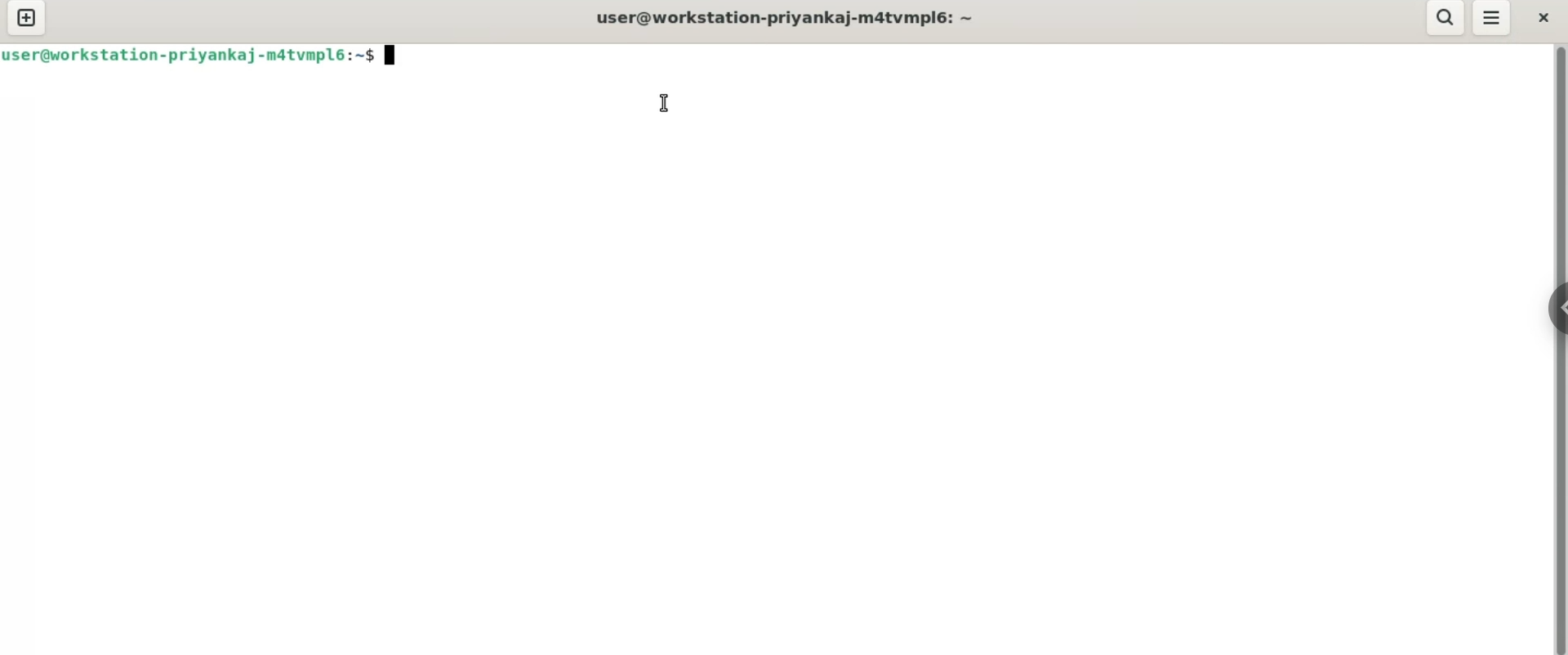  What do you see at coordinates (666, 105) in the screenshot?
I see `cursor` at bounding box center [666, 105].